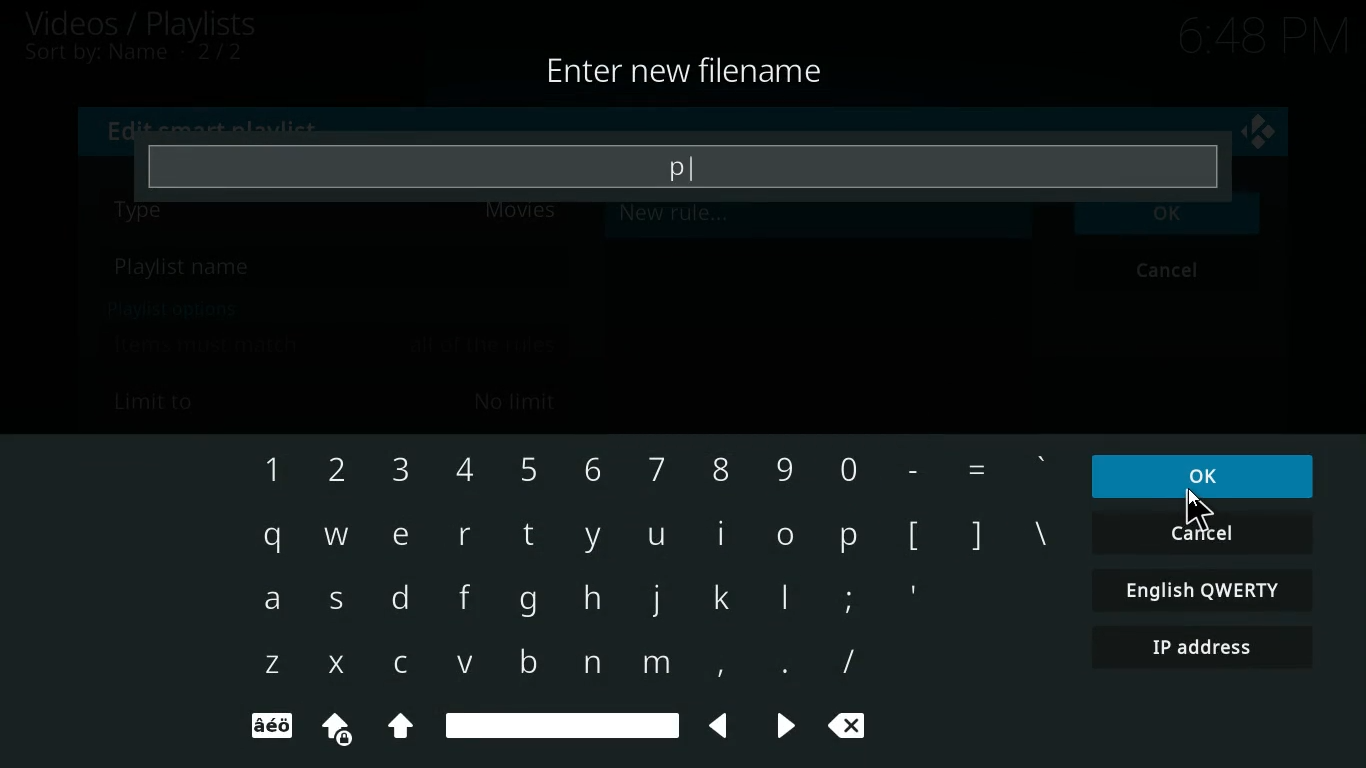 The height and width of the screenshot is (768, 1366). I want to click on time, so click(1257, 37).